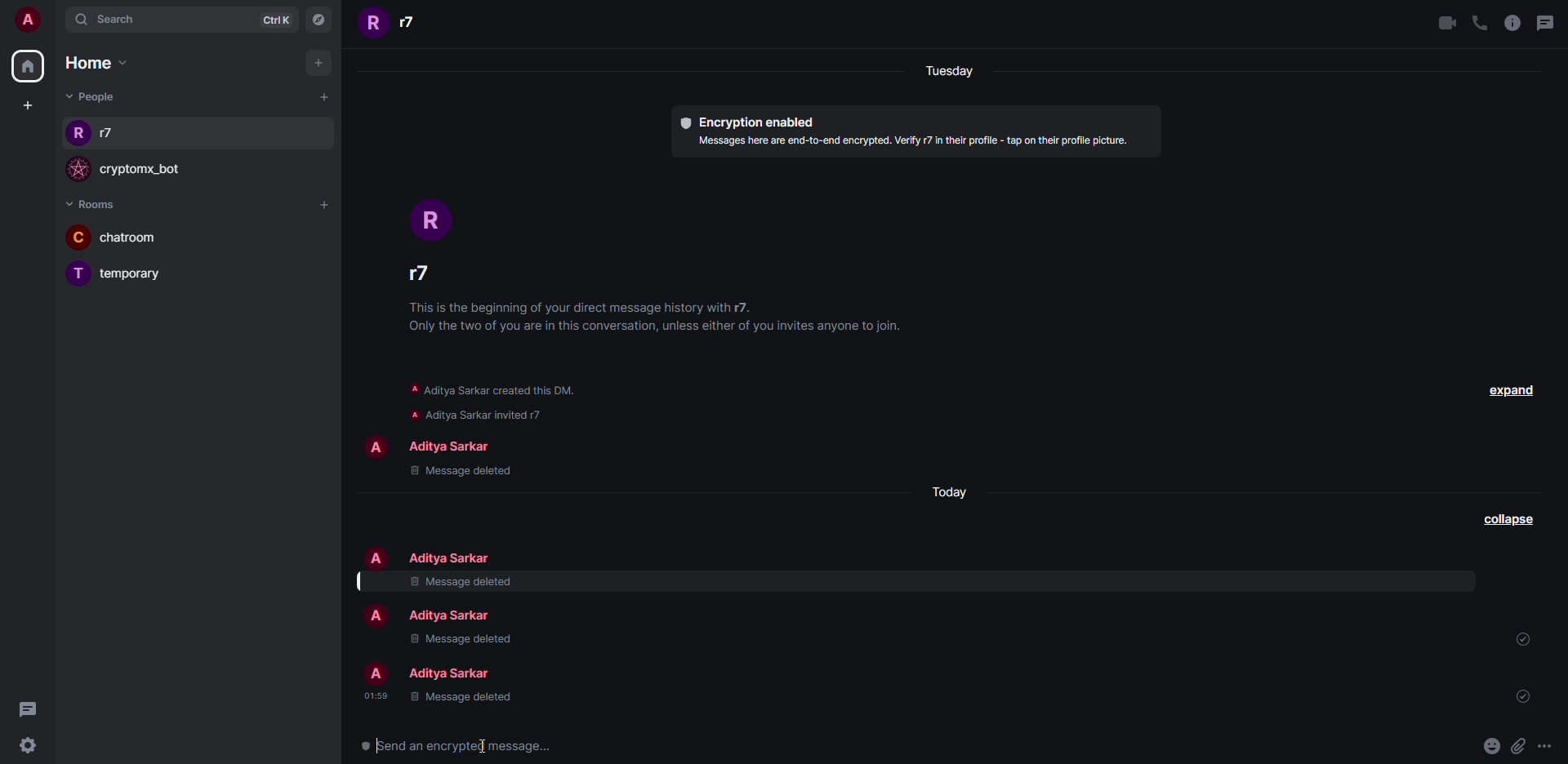  Describe the element at coordinates (274, 19) in the screenshot. I see `ctrlK` at that location.